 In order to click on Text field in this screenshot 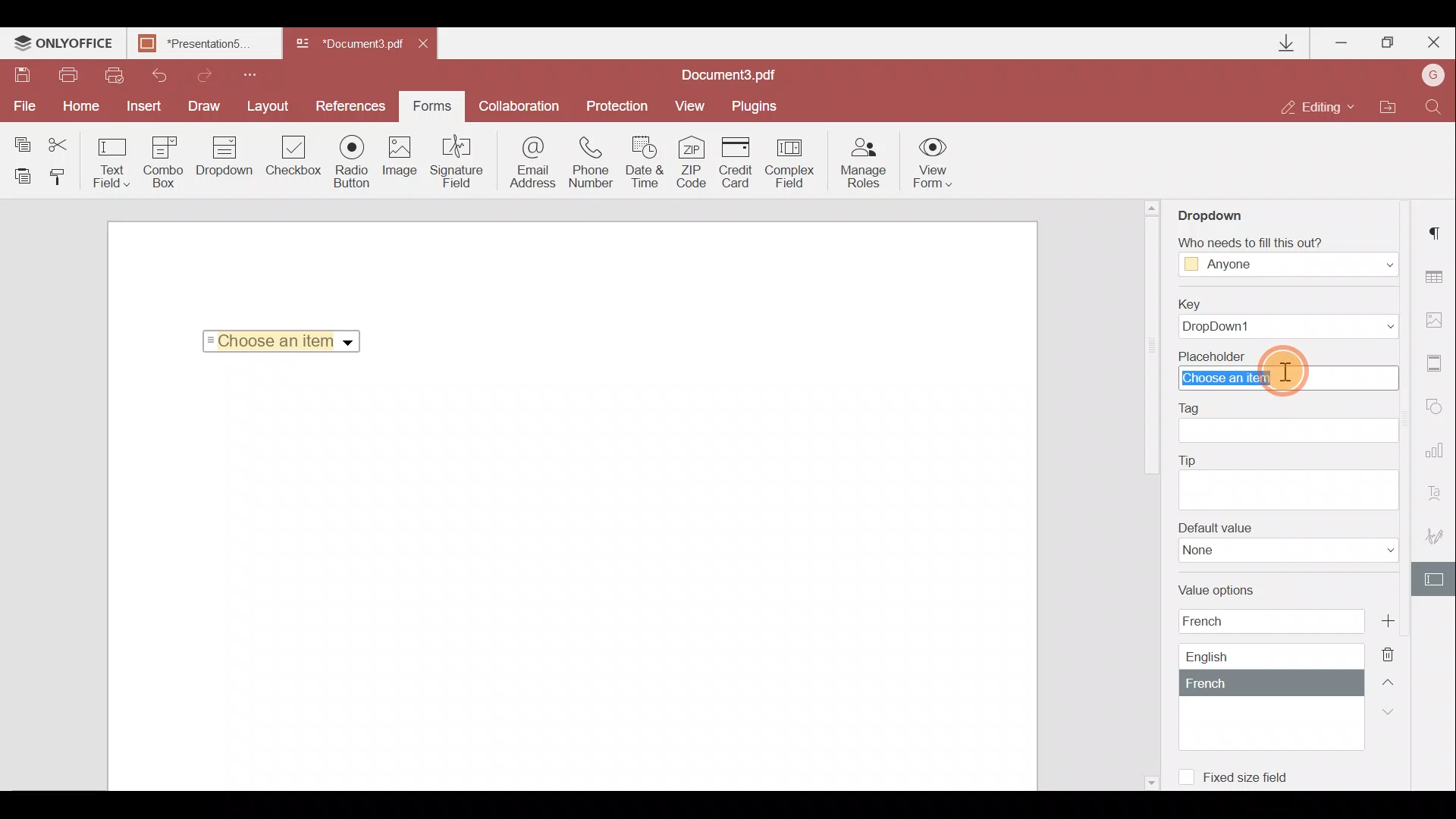, I will do `click(112, 162)`.